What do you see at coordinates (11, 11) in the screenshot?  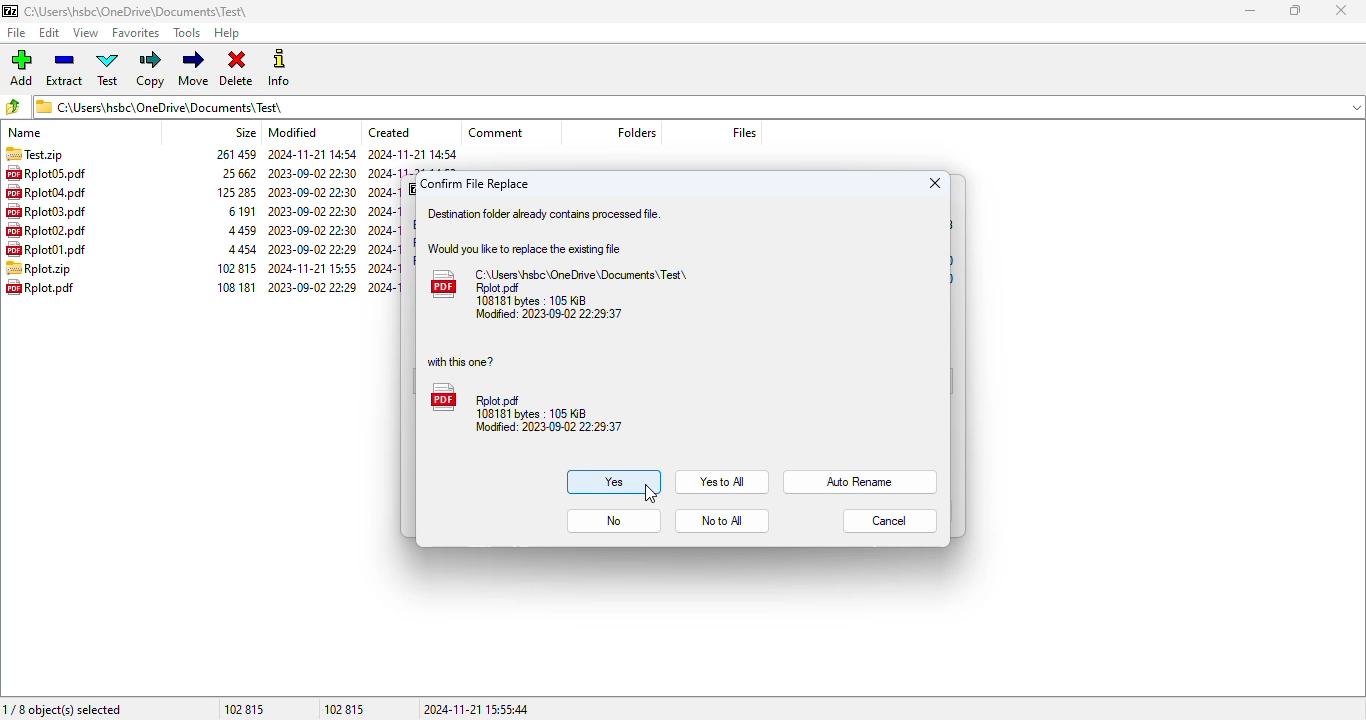 I see `logo` at bounding box center [11, 11].